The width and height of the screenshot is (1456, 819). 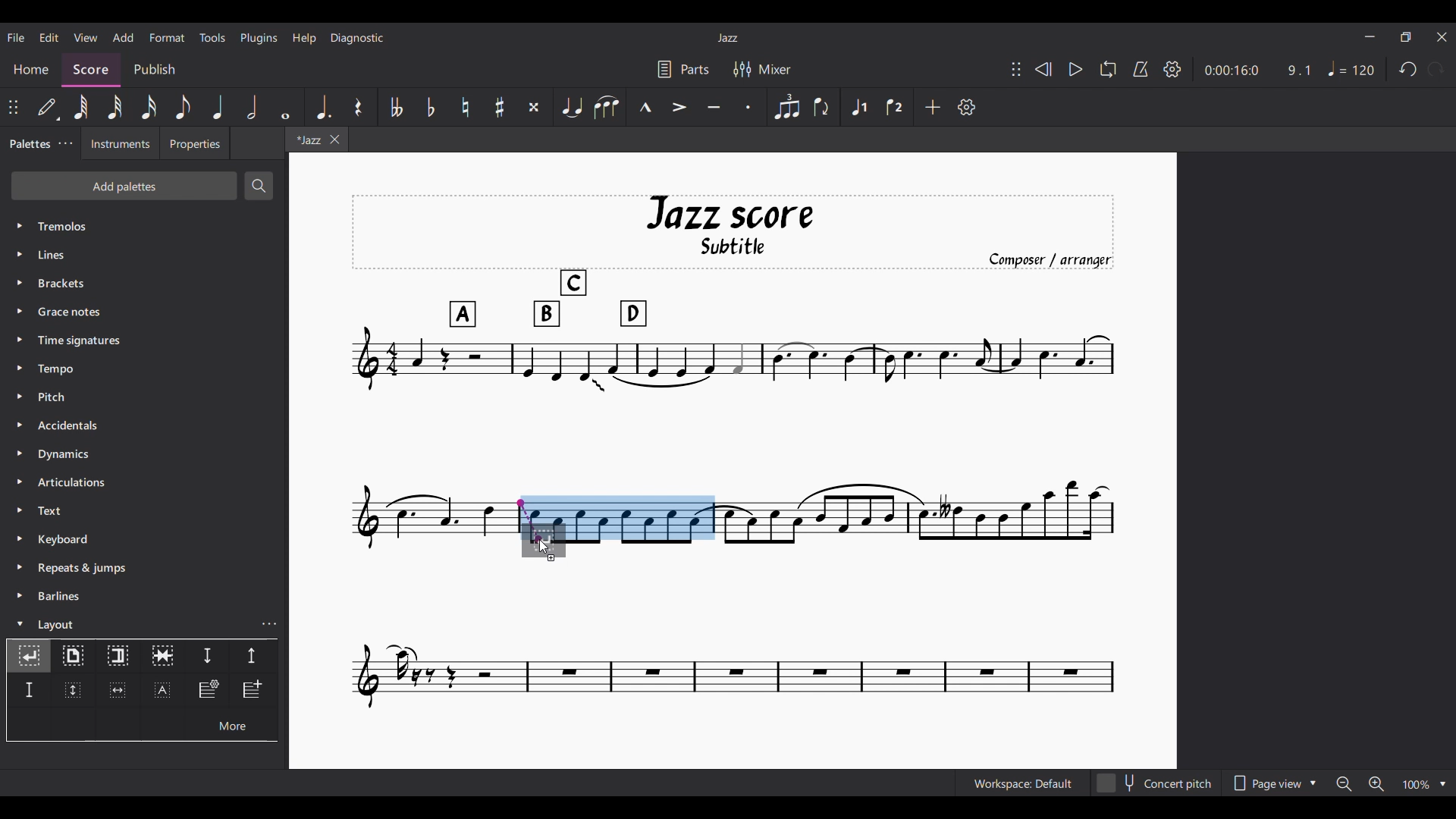 I want to click on Settings, so click(x=1172, y=70).